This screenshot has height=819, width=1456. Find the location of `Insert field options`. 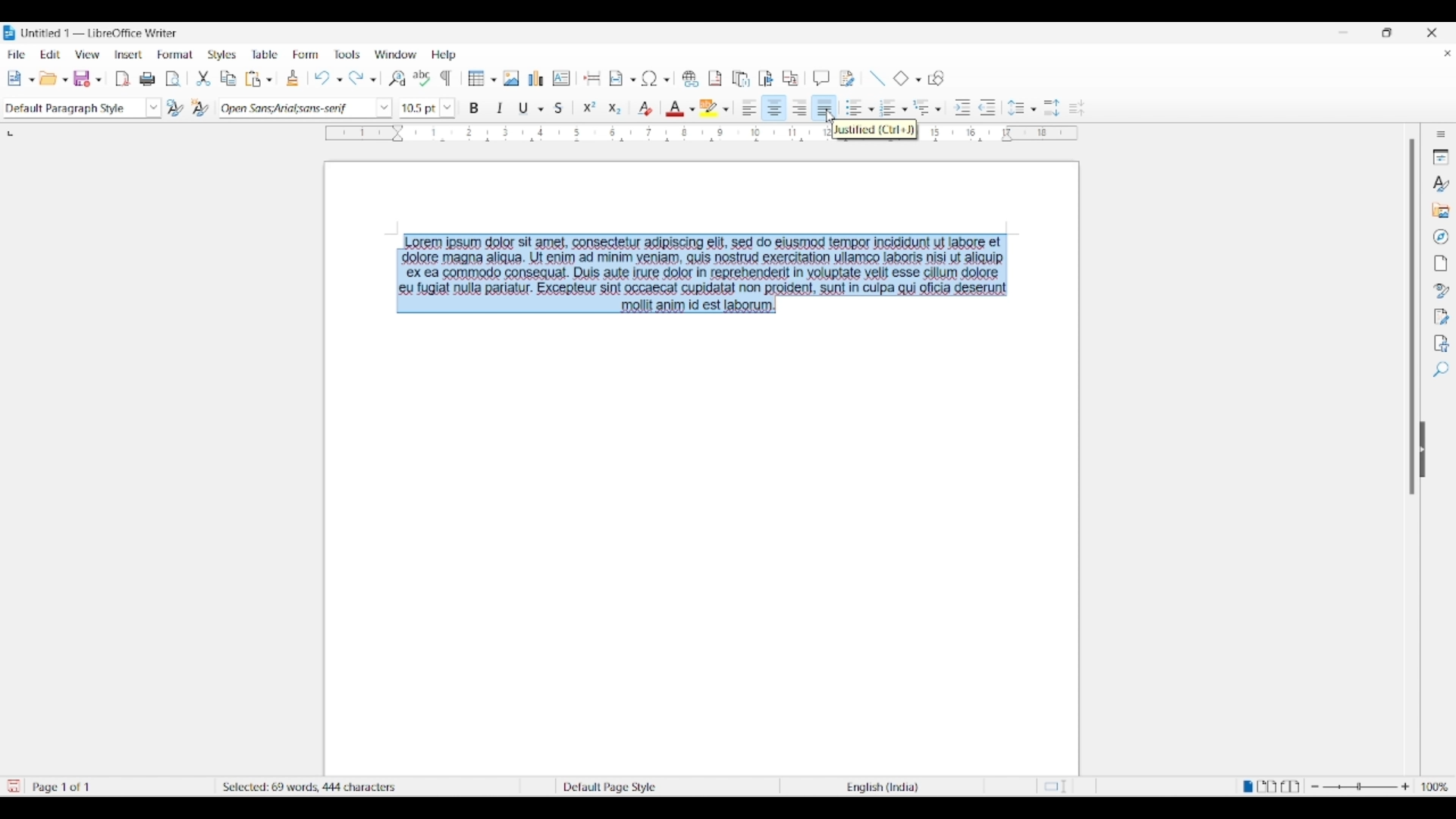

Insert field options is located at coordinates (634, 80).